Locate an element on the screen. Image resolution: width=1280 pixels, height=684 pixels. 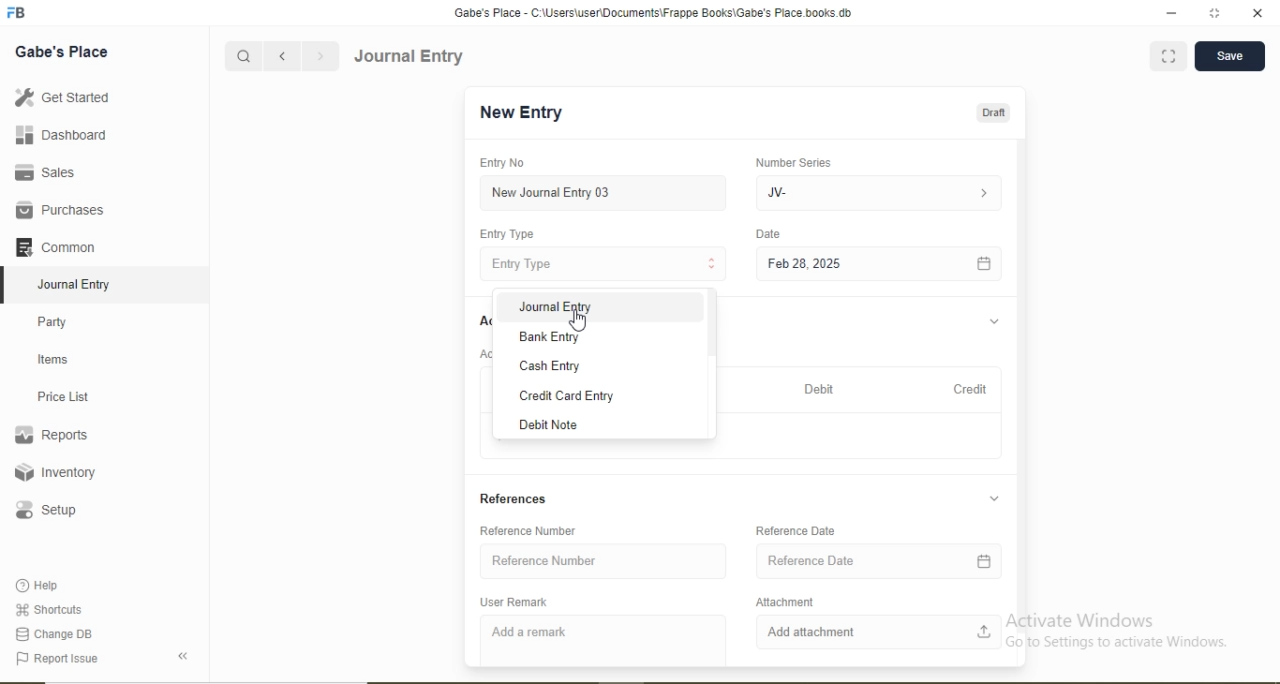
Add a remark is located at coordinates (528, 632).